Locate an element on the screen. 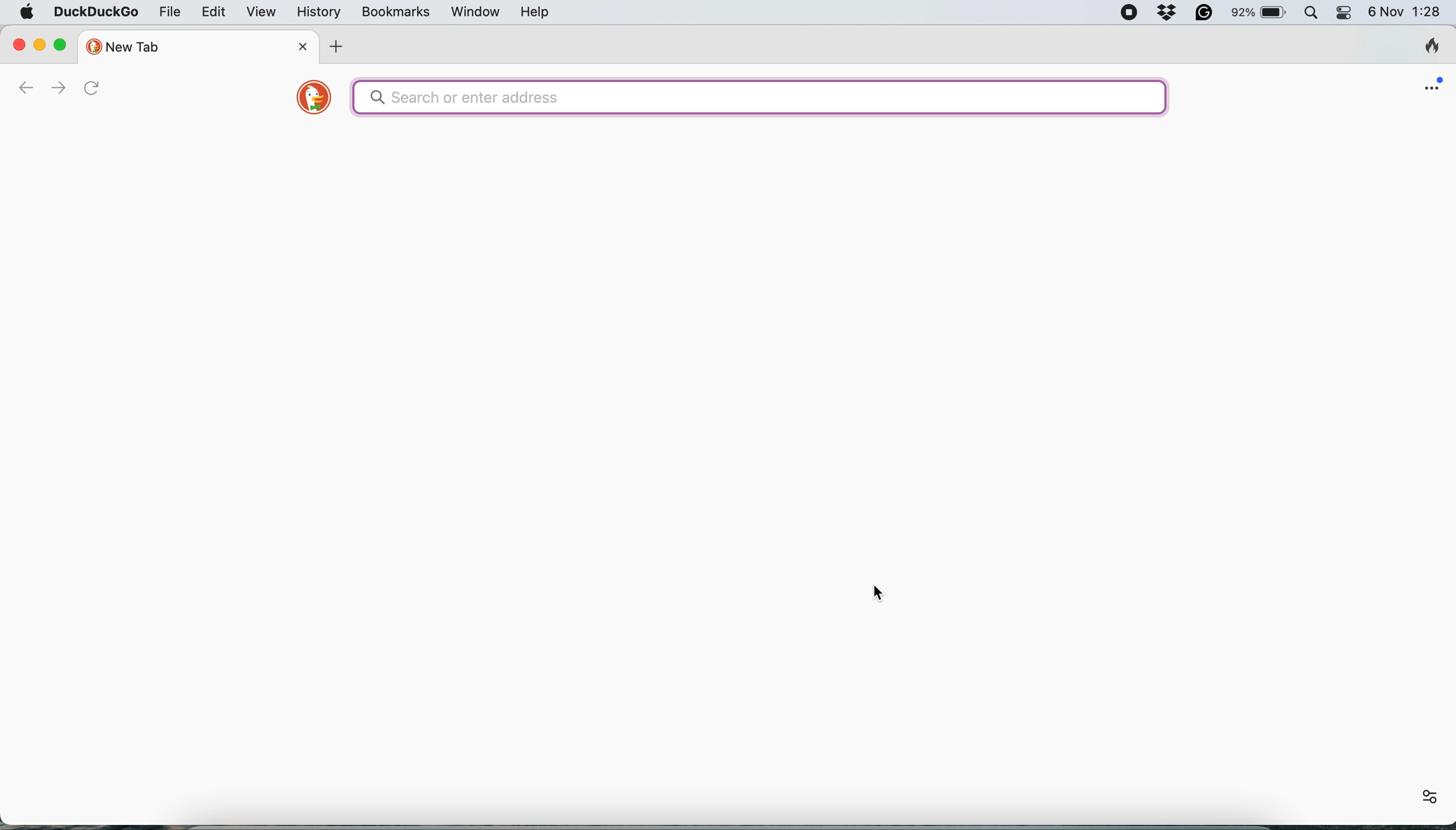 Image resolution: width=1456 pixels, height=830 pixels. window is located at coordinates (476, 14).